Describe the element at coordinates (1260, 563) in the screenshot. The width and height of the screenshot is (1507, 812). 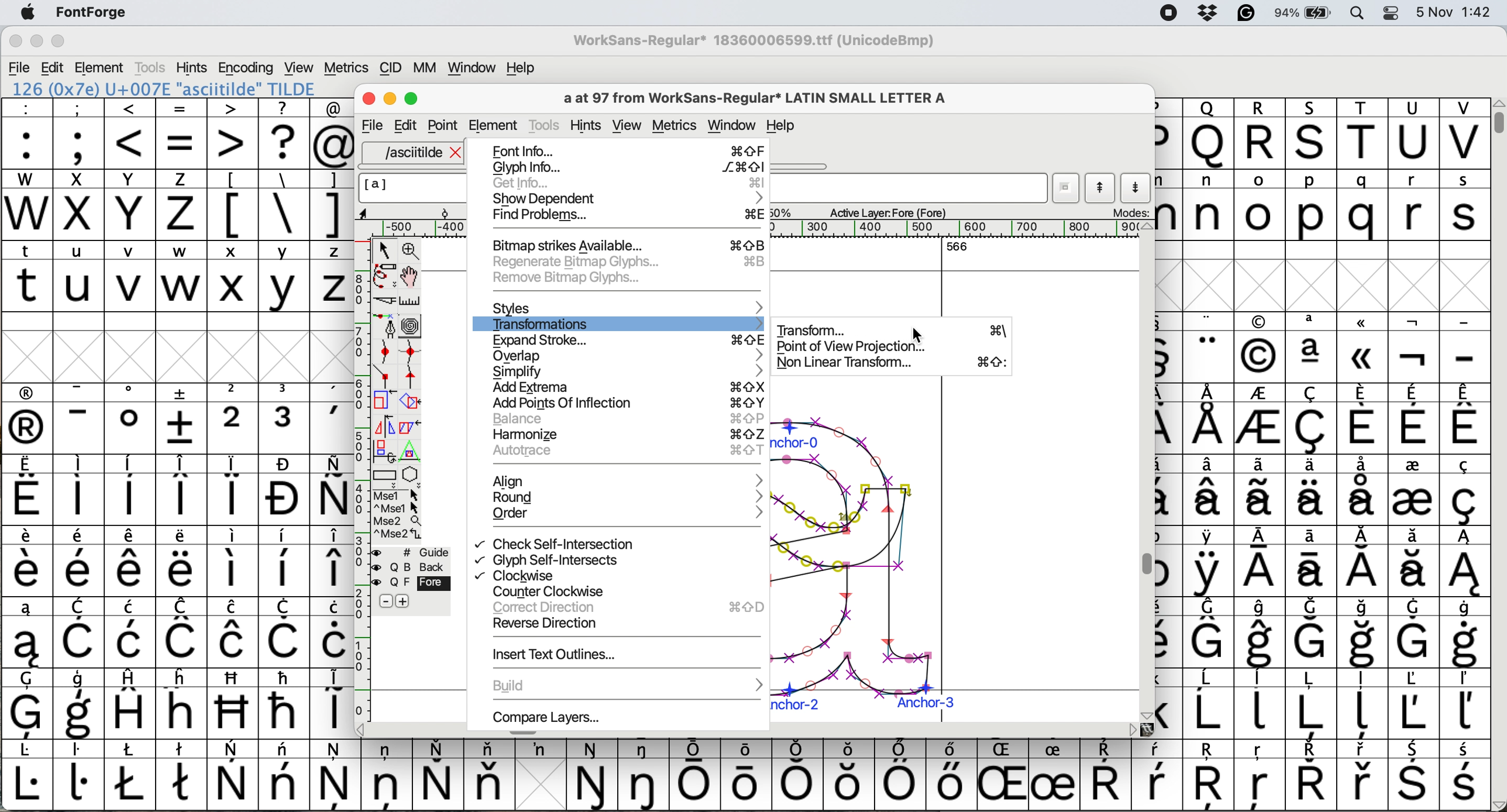
I see `symbol` at that location.